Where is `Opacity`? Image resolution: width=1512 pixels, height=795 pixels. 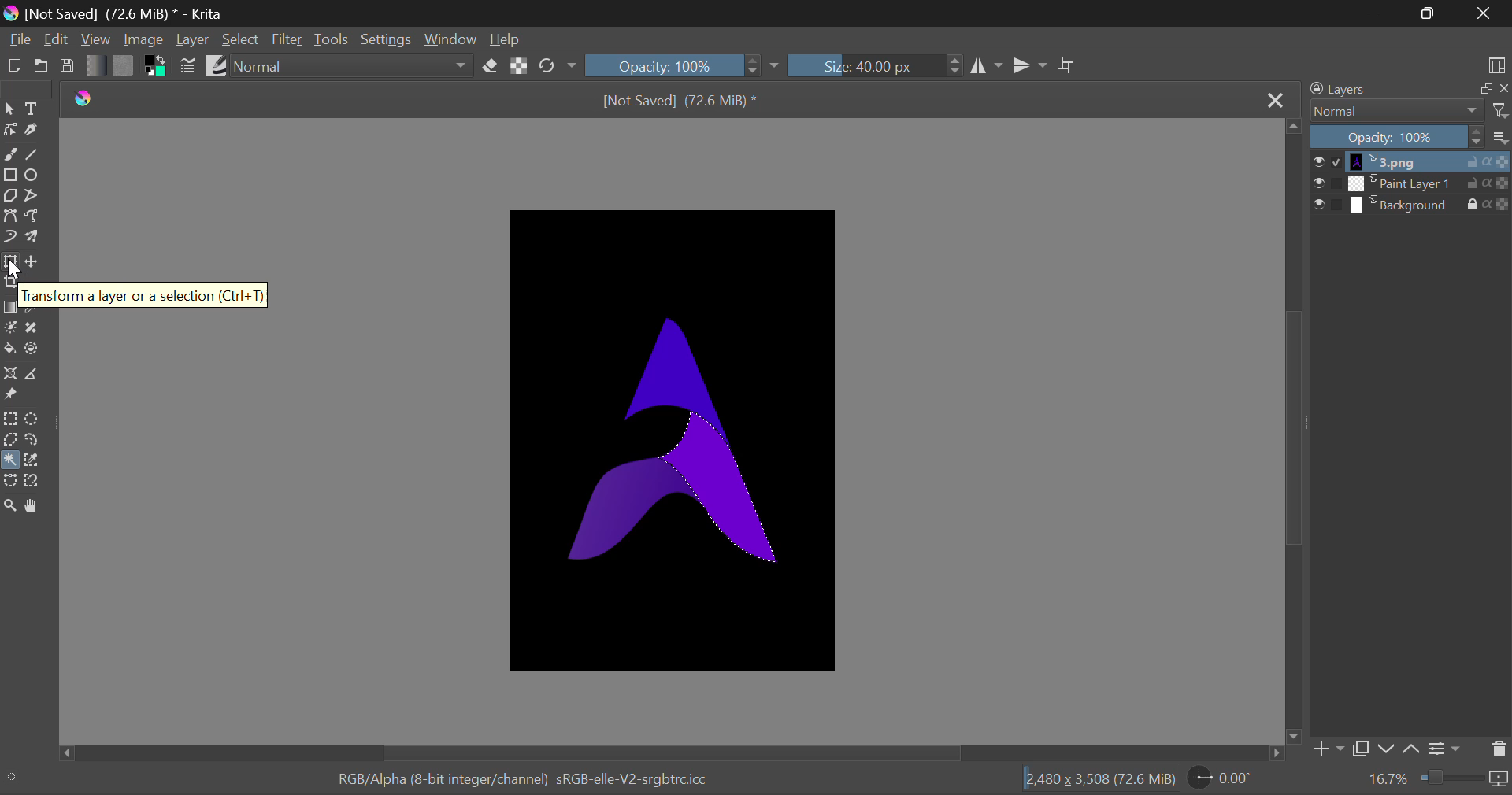
Opacity is located at coordinates (1395, 138).